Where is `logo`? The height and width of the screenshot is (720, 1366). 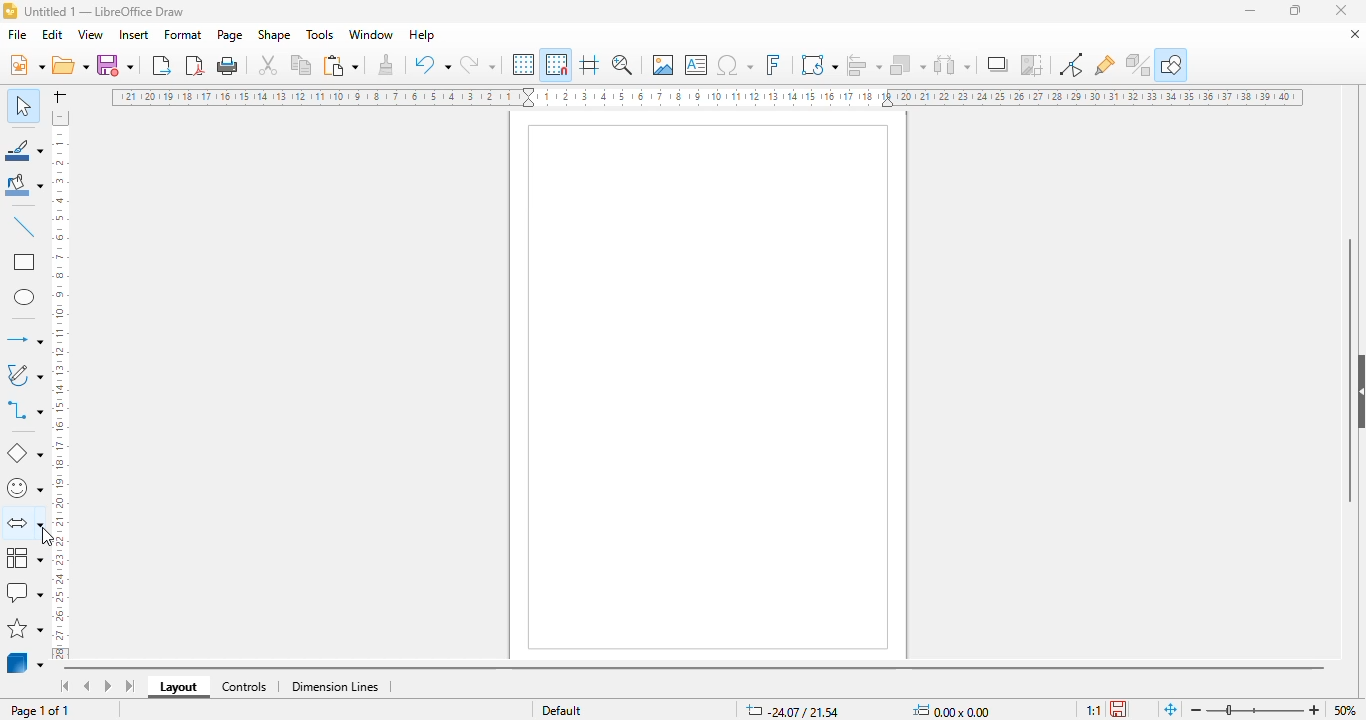
logo is located at coordinates (10, 11).